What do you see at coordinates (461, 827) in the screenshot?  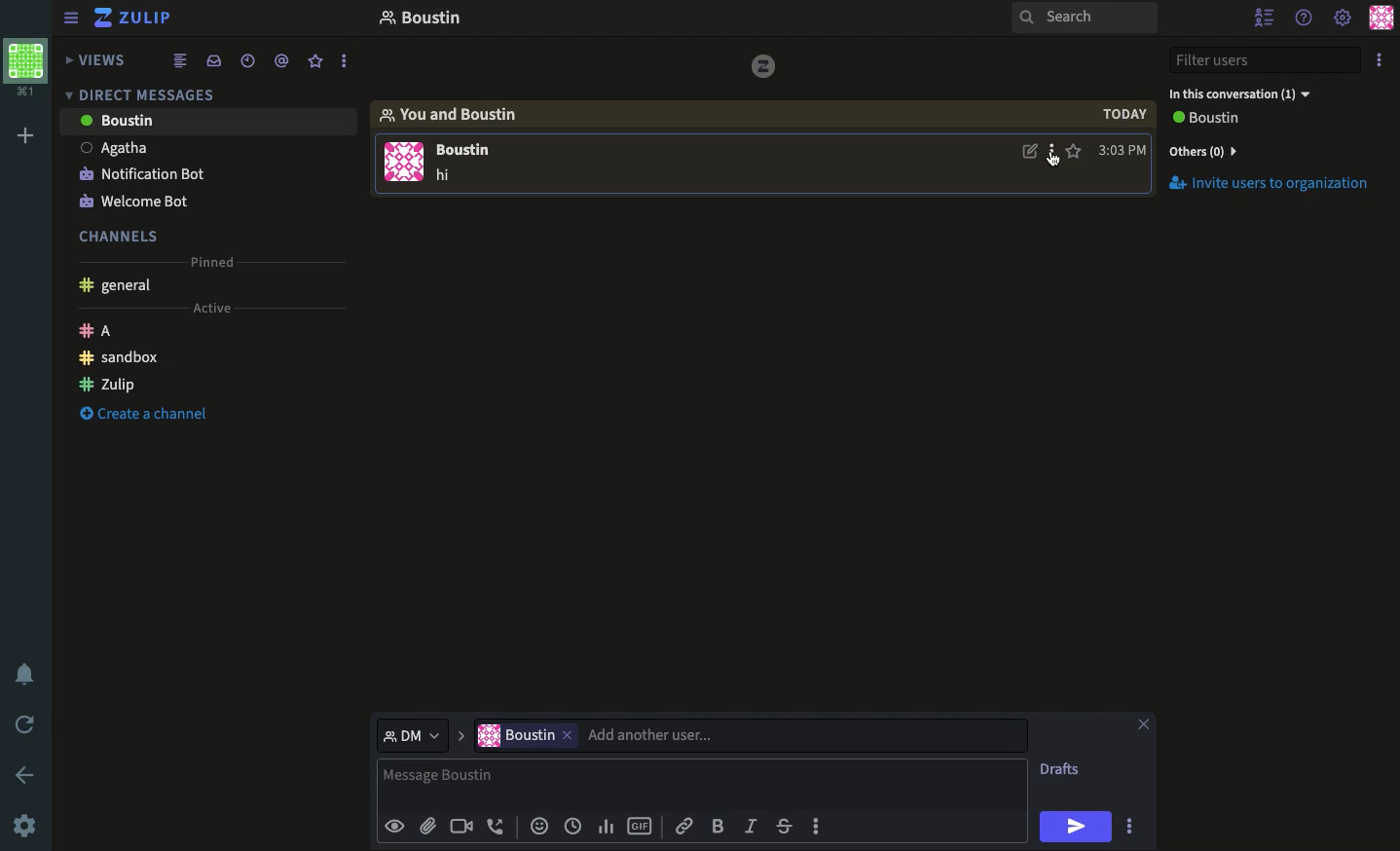 I see `Video` at bounding box center [461, 827].